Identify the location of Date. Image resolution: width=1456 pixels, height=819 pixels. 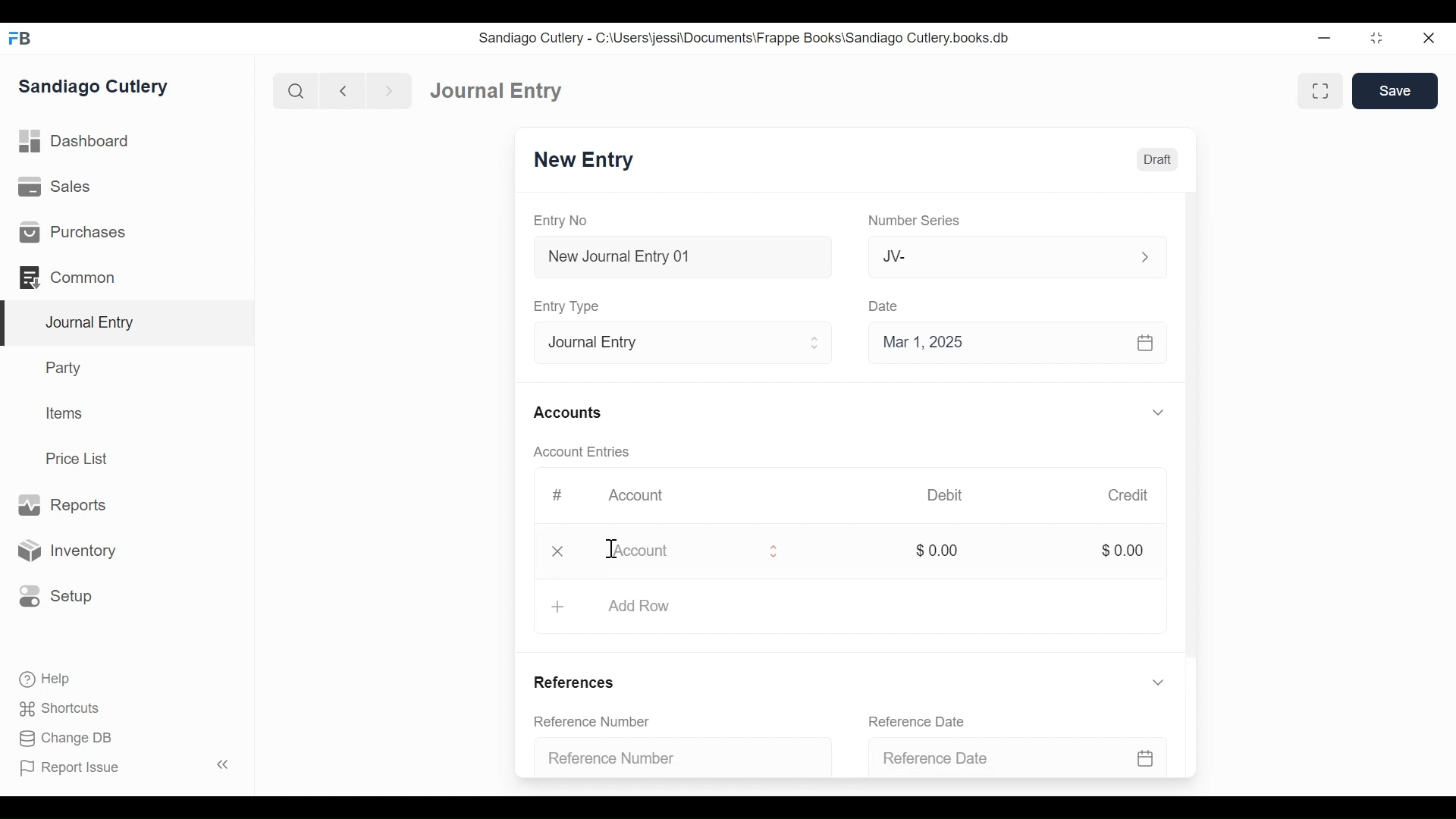
(884, 306).